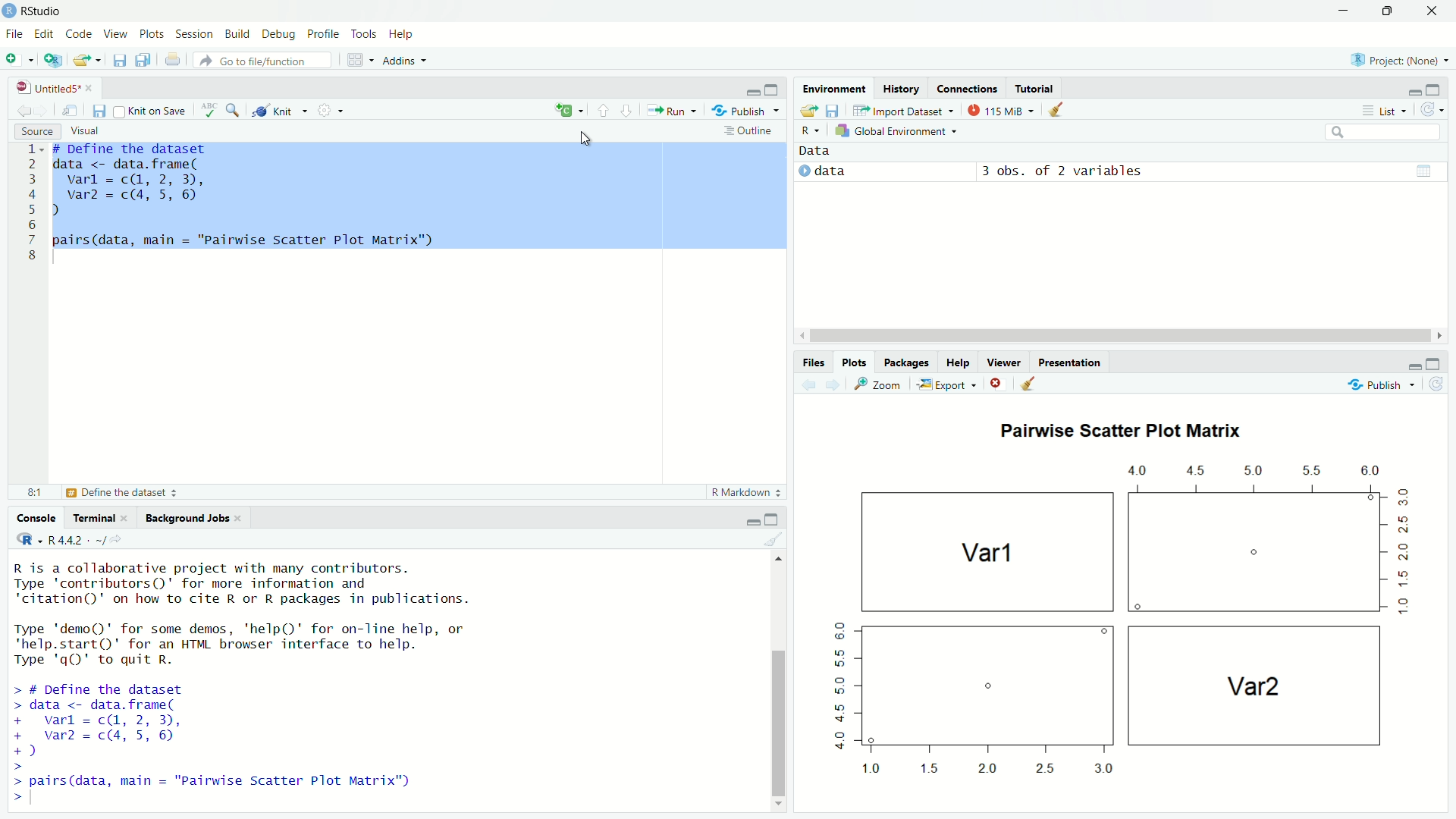 This screenshot has width=1456, height=819. Describe the element at coordinates (994, 384) in the screenshot. I see `Close` at that location.